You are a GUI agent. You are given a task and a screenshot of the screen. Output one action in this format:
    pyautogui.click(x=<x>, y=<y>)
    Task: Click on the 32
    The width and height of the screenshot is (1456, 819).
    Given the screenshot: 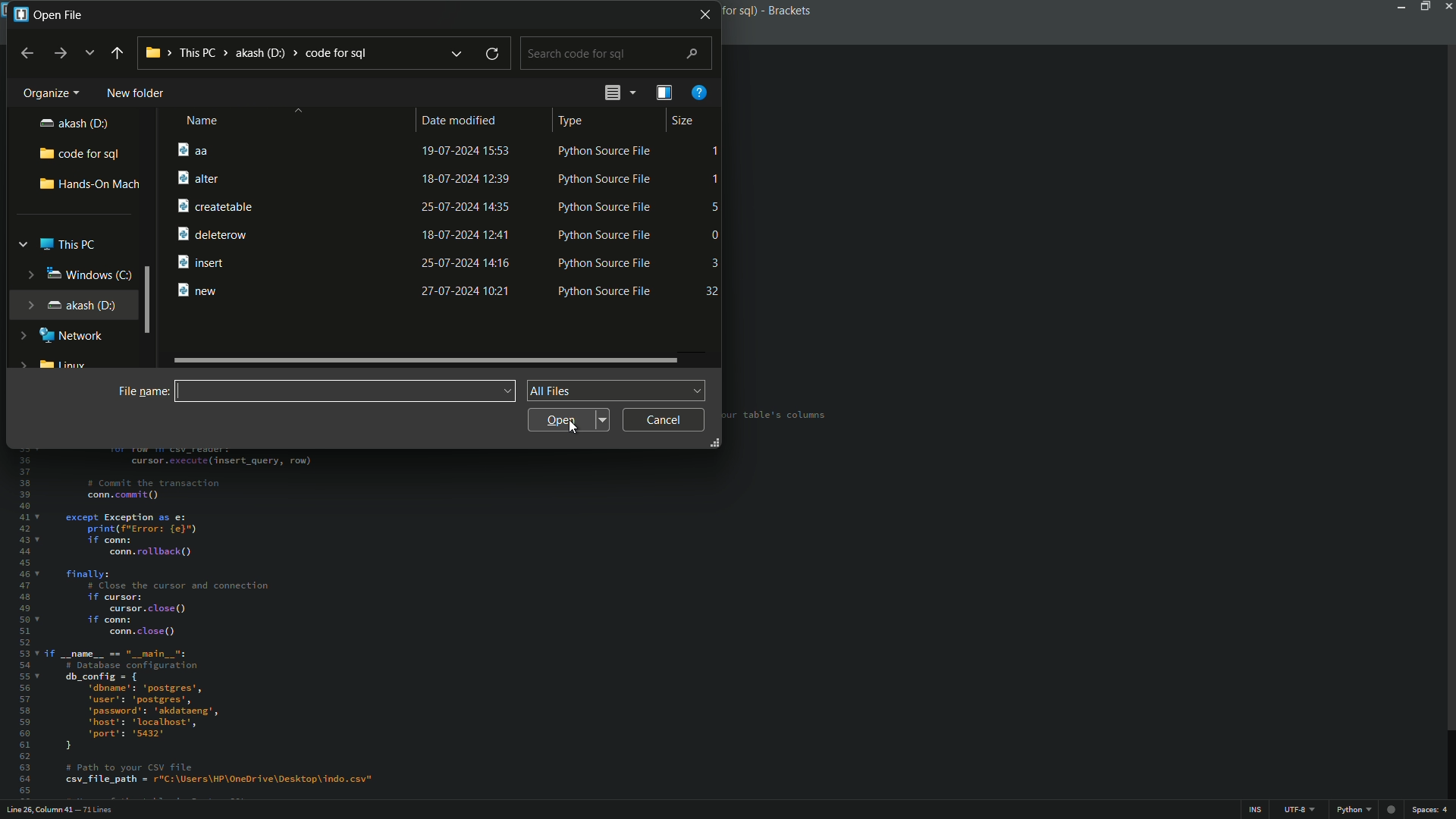 What is the action you would take?
    pyautogui.click(x=714, y=290)
    